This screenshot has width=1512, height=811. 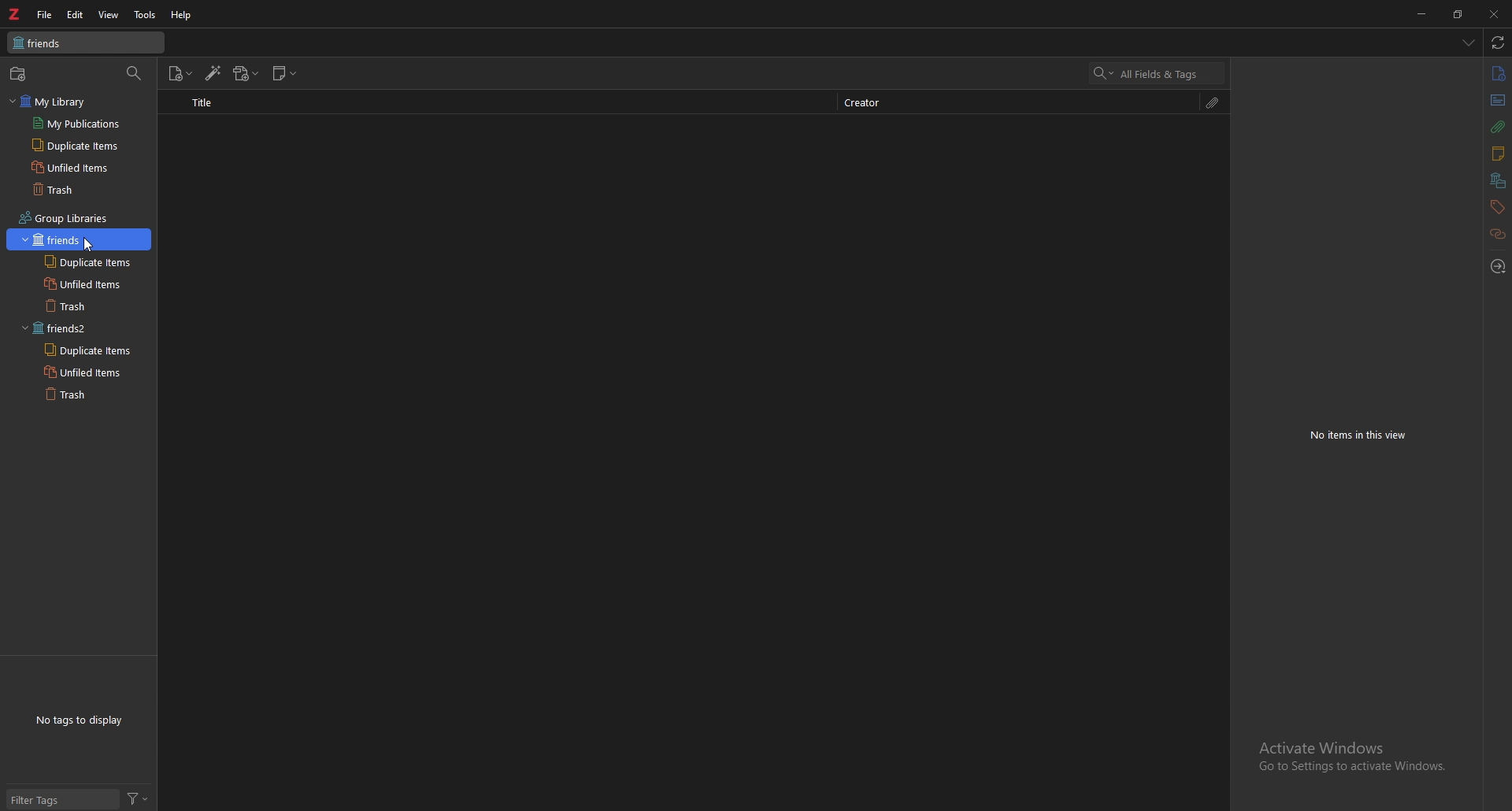 What do you see at coordinates (1497, 183) in the screenshot?
I see `libraries and collections` at bounding box center [1497, 183].